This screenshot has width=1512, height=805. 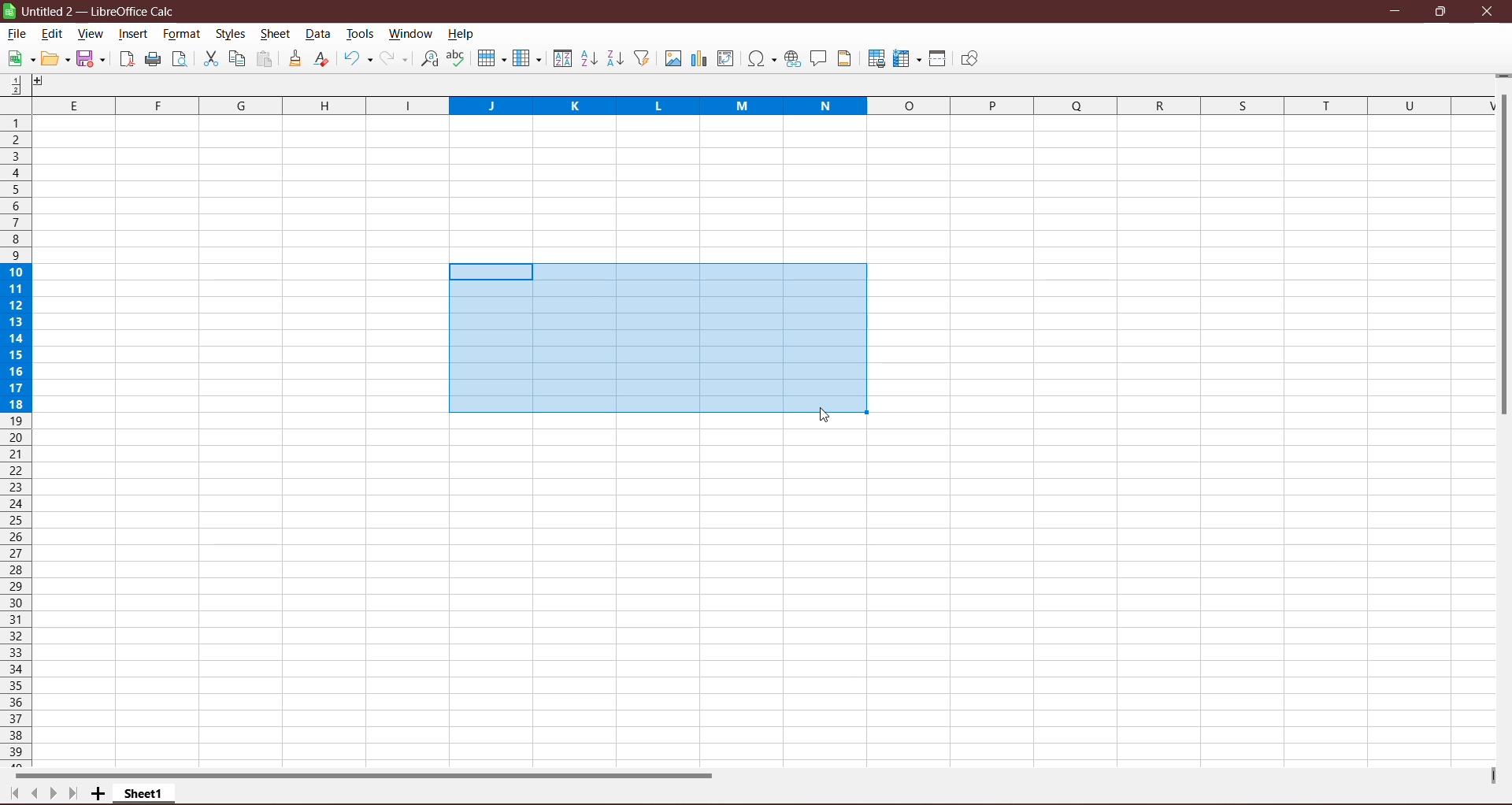 I want to click on Columns, so click(x=527, y=58).